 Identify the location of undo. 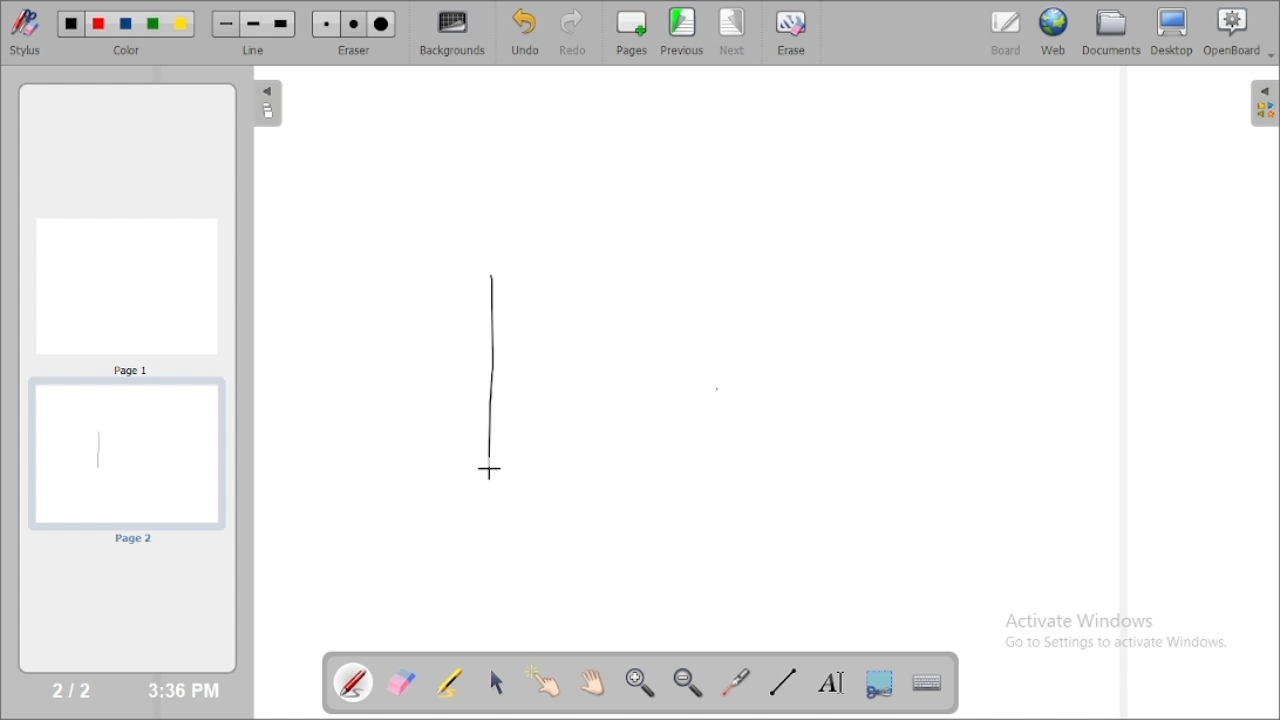
(524, 32).